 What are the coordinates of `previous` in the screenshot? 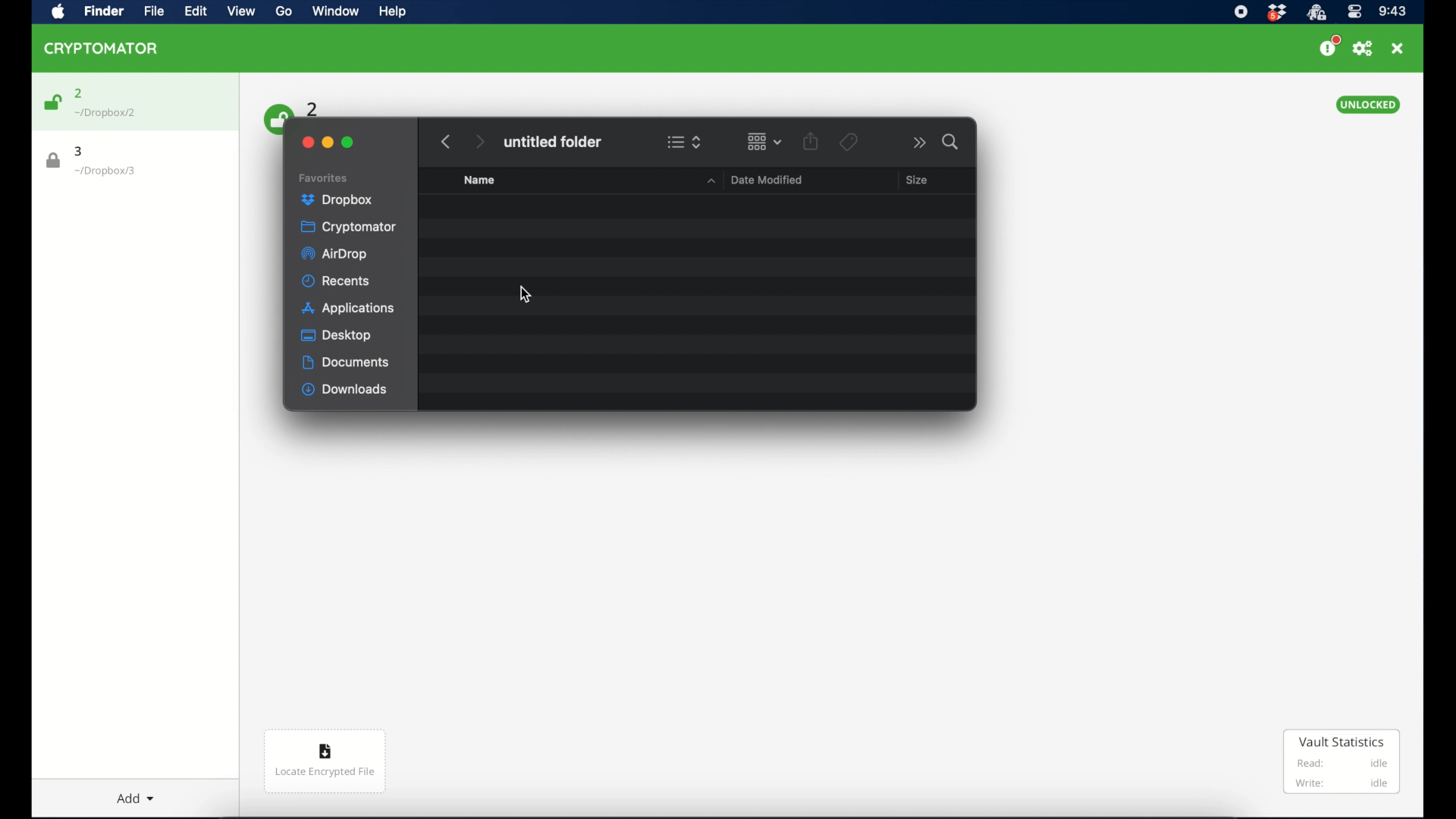 It's located at (446, 142).